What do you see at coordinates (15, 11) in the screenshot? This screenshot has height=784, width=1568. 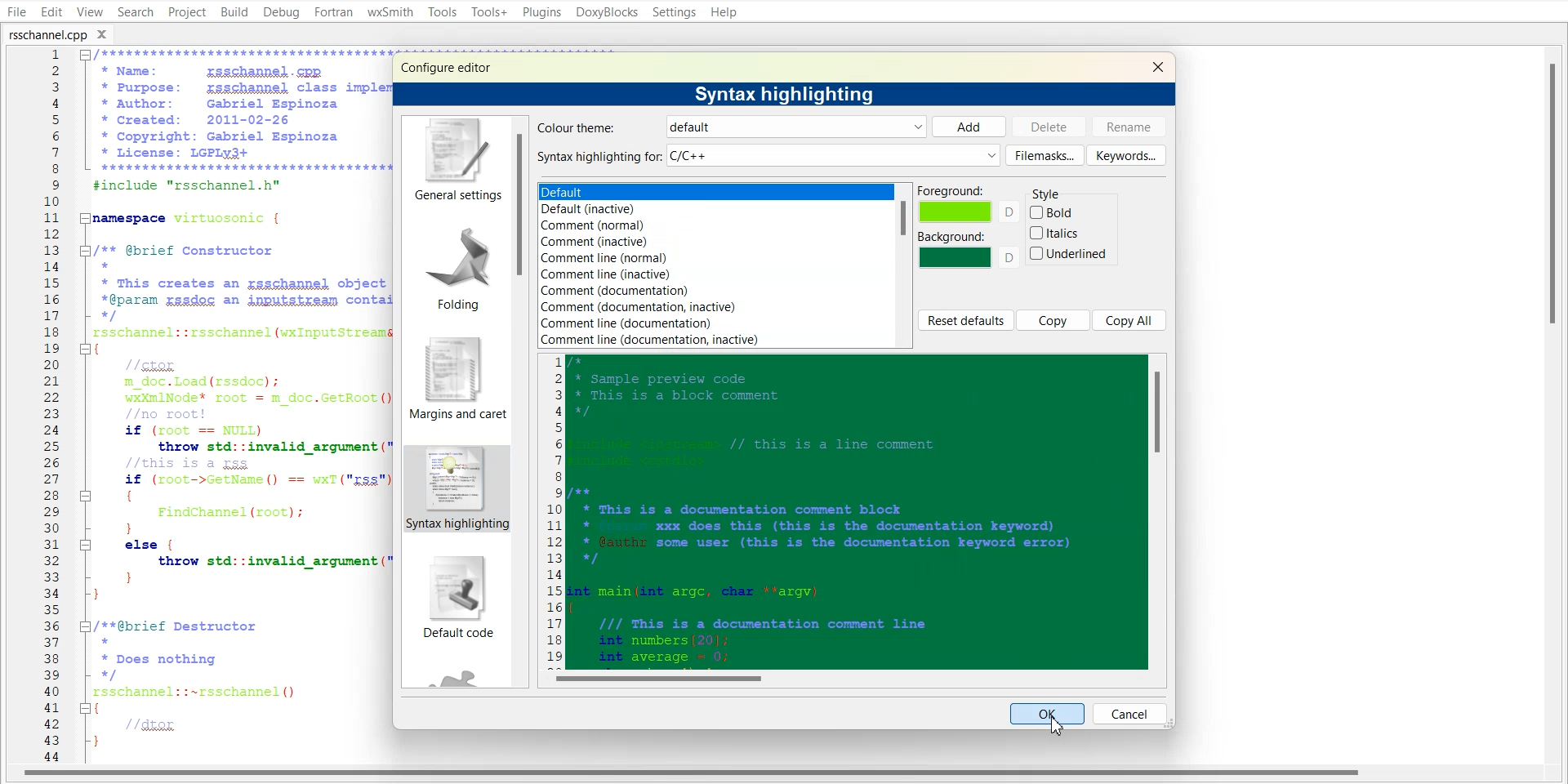 I see `File` at bounding box center [15, 11].